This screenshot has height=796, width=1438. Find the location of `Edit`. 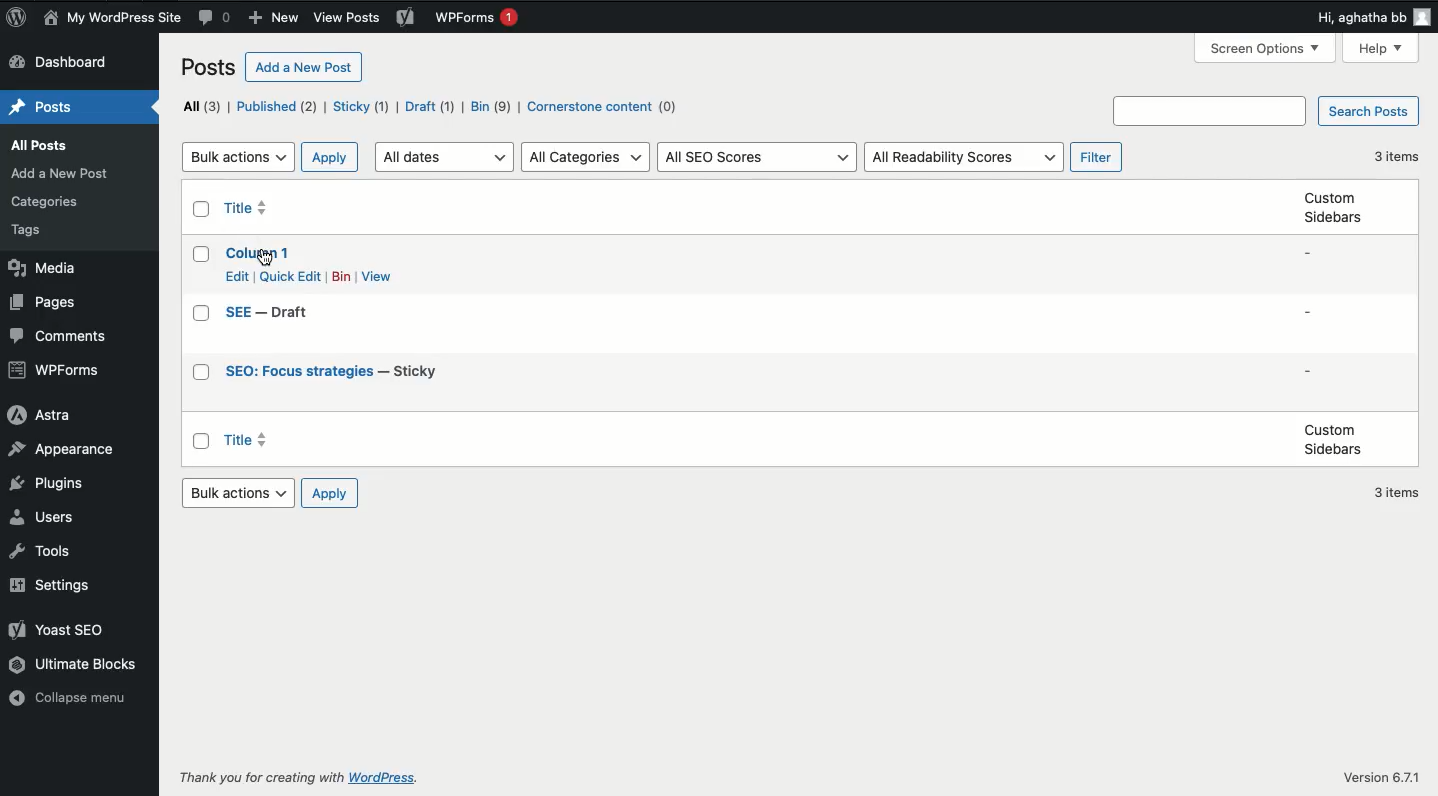

Edit is located at coordinates (239, 276).